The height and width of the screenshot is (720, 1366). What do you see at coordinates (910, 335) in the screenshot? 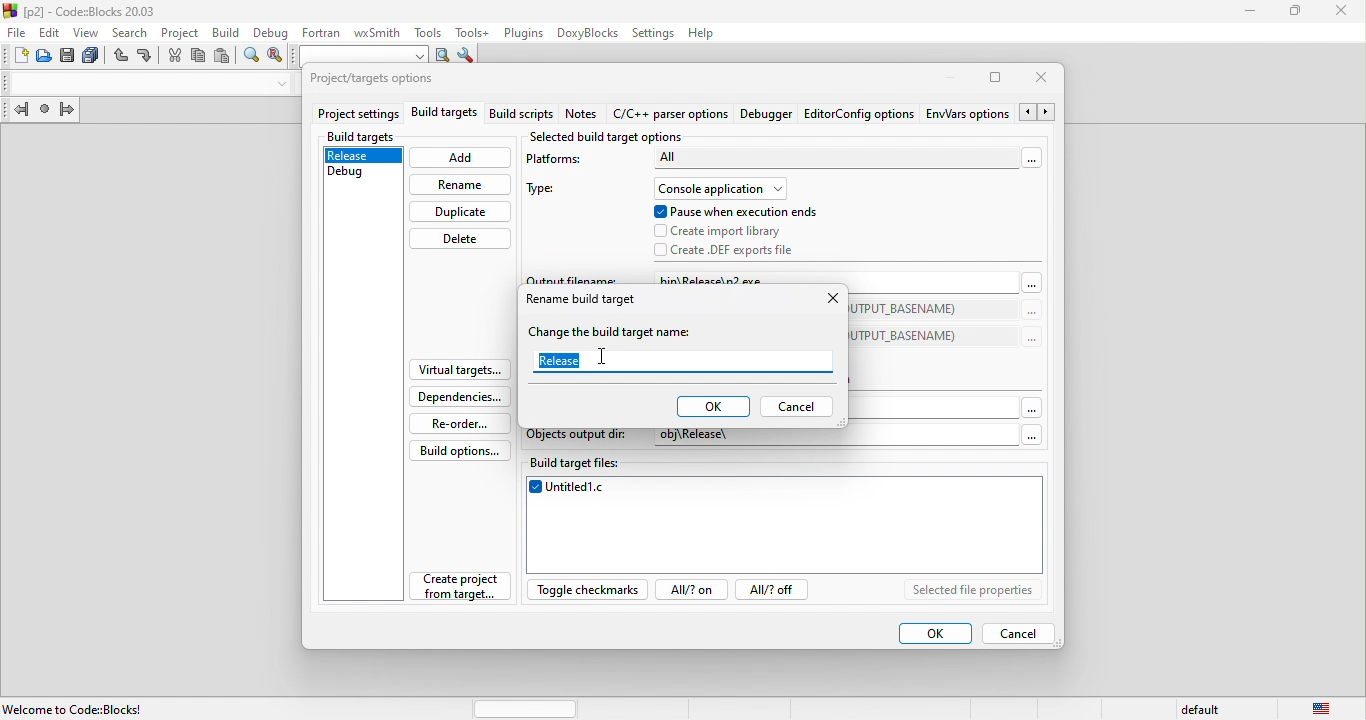
I see `(TARGET_OUTPUT_DIR)$(TARGET_OUTPUT_BASENAME)` at bounding box center [910, 335].